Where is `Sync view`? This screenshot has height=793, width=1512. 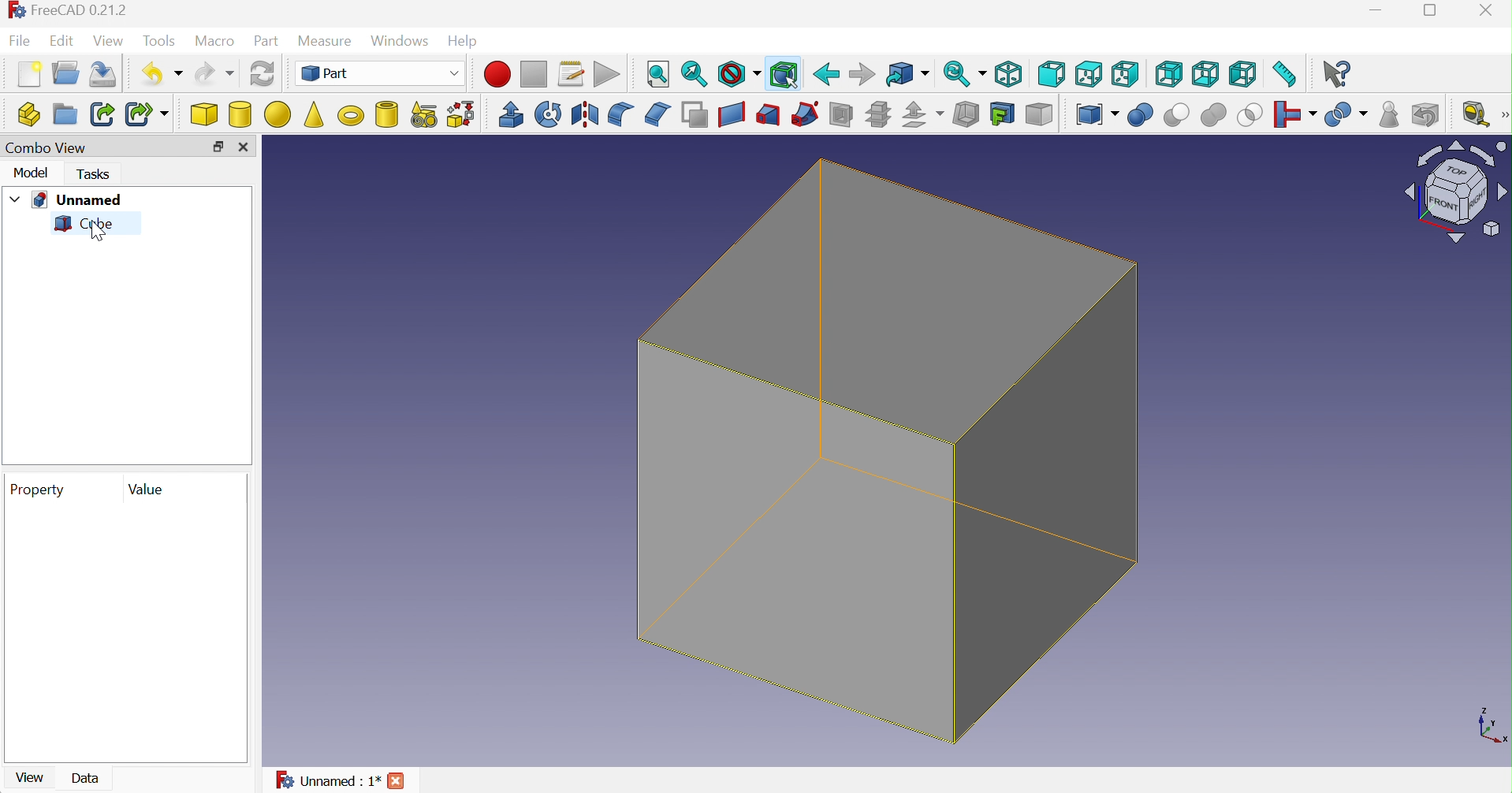
Sync view is located at coordinates (963, 76).